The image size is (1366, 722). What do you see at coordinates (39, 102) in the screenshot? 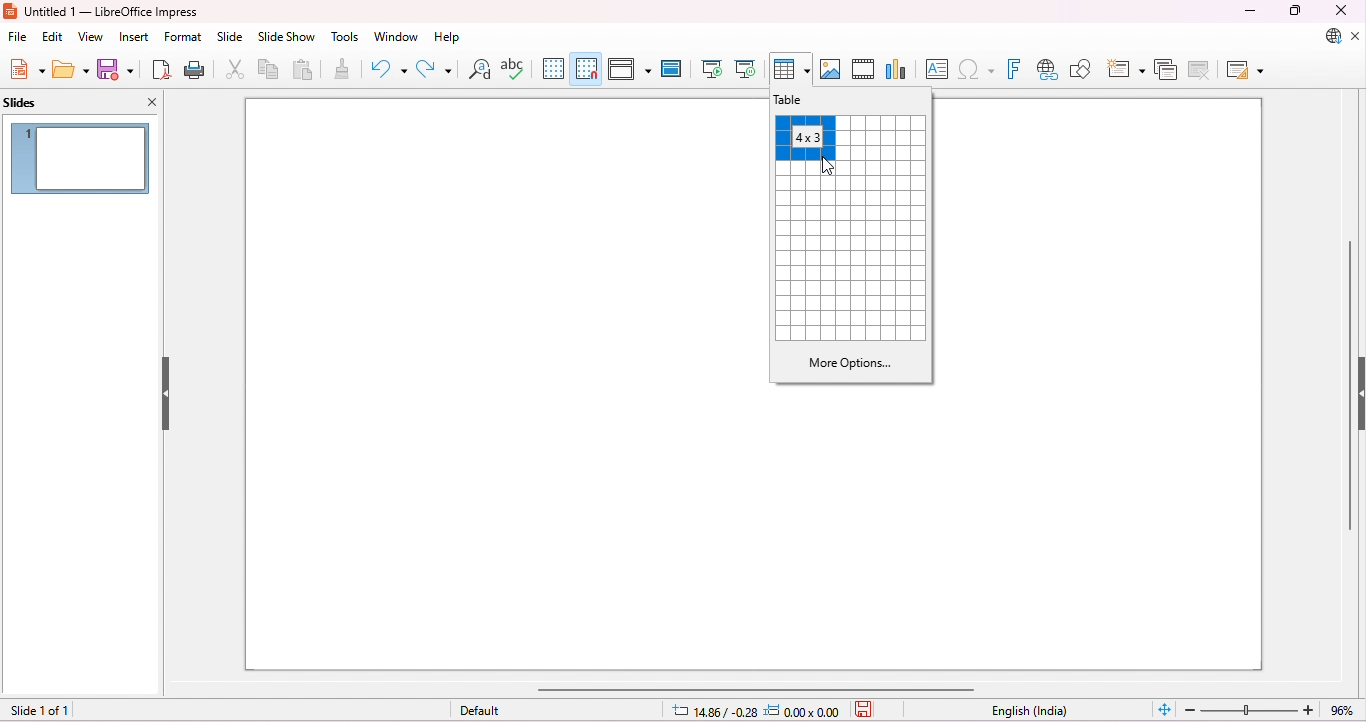
I see `slides` at bounding box center [39, 102].